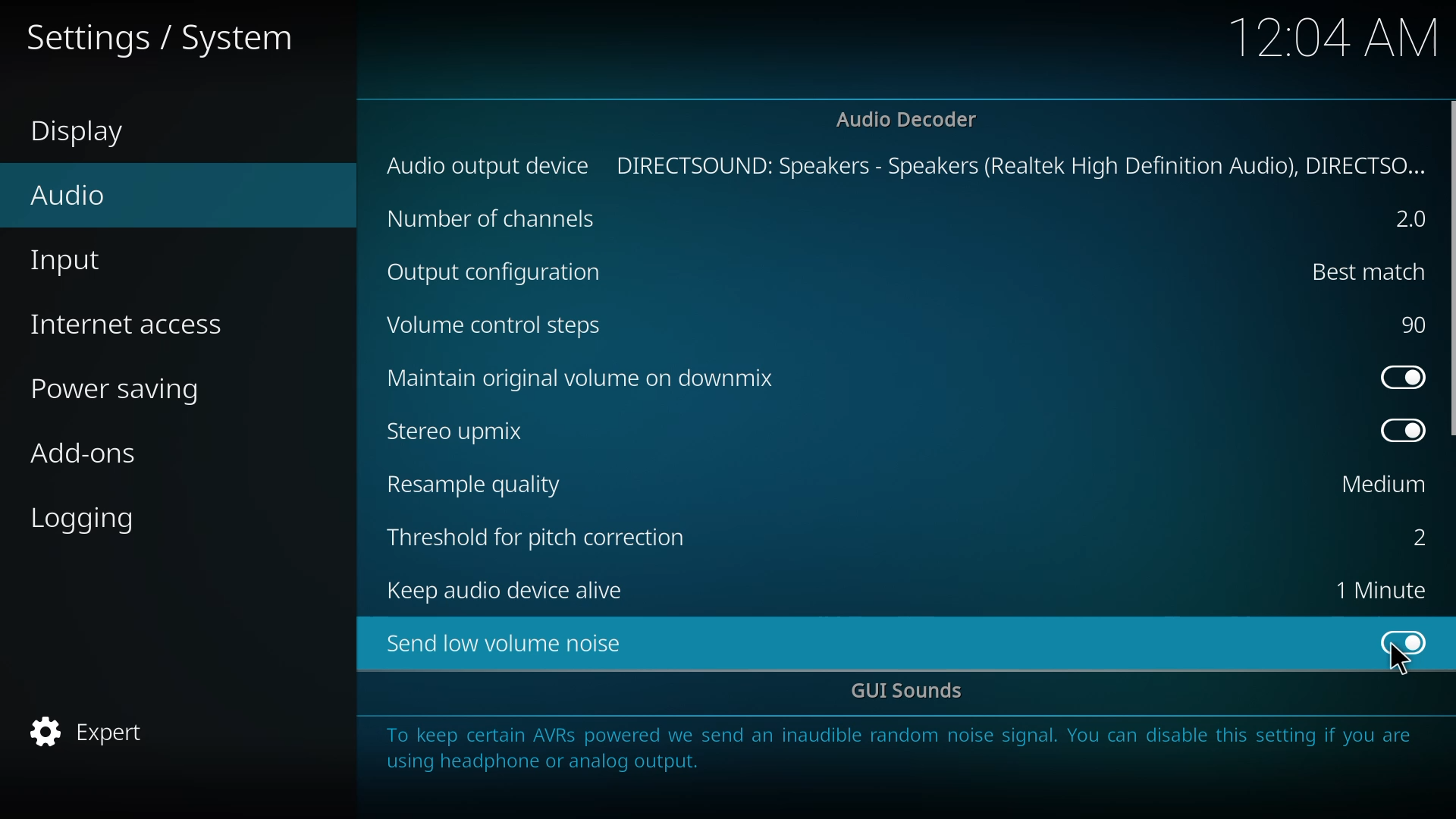 This screenshot has width=1456, height=819. I want to click on internet access , so click(136, 320).